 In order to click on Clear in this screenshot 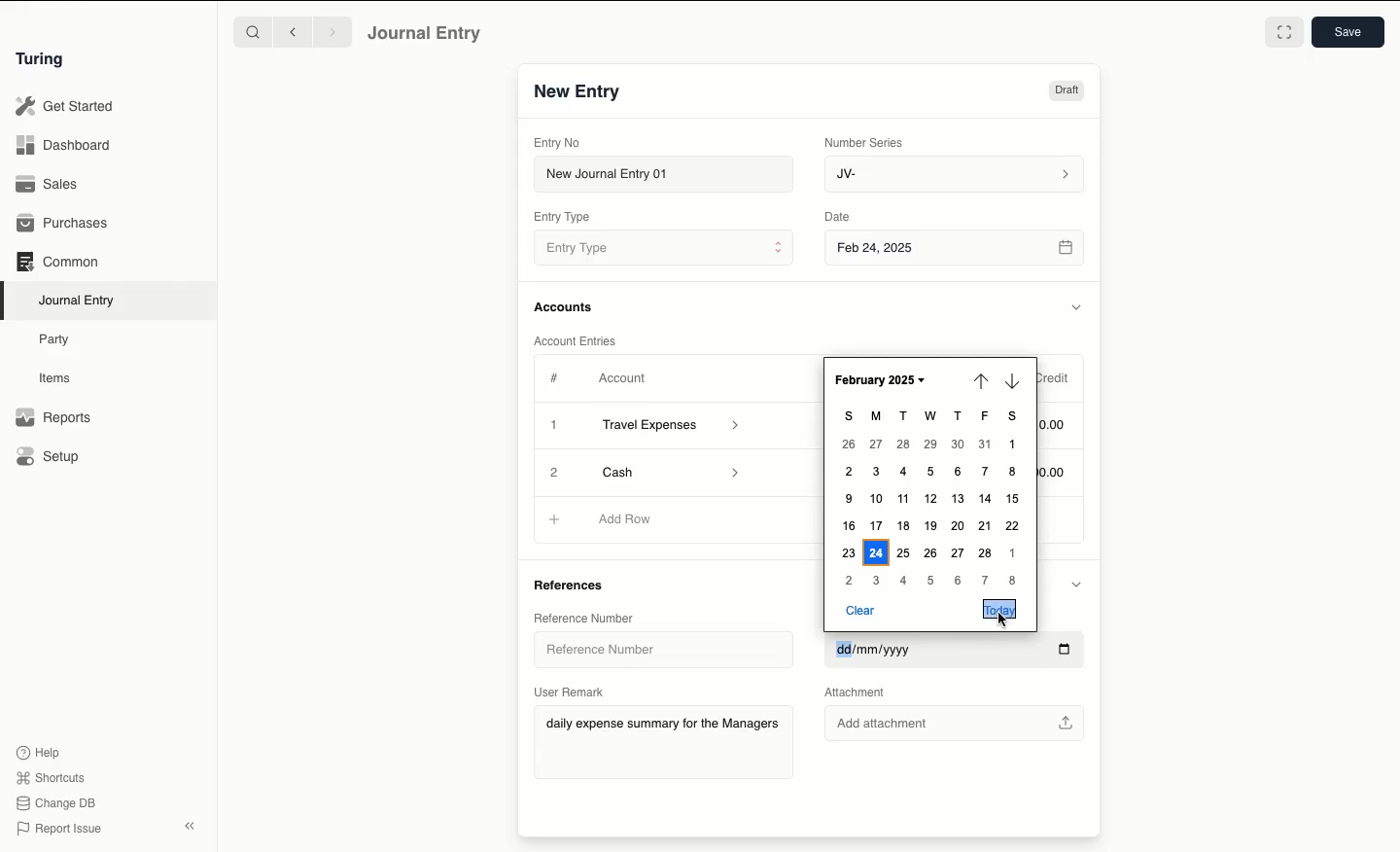, I will do `click(864, 610)`.